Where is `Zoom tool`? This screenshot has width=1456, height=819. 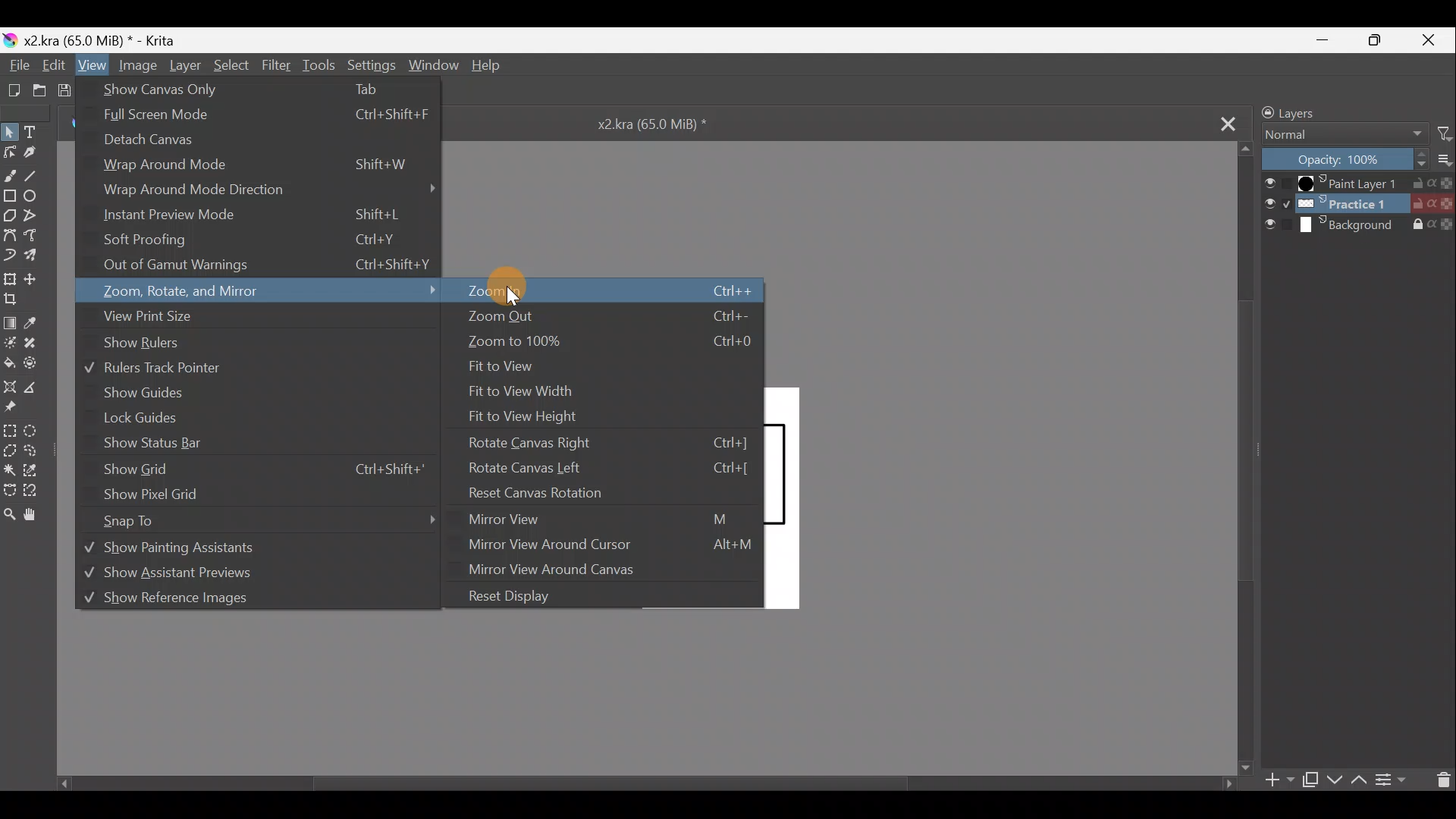 Zoom tool is located at coordinates (9, 516).